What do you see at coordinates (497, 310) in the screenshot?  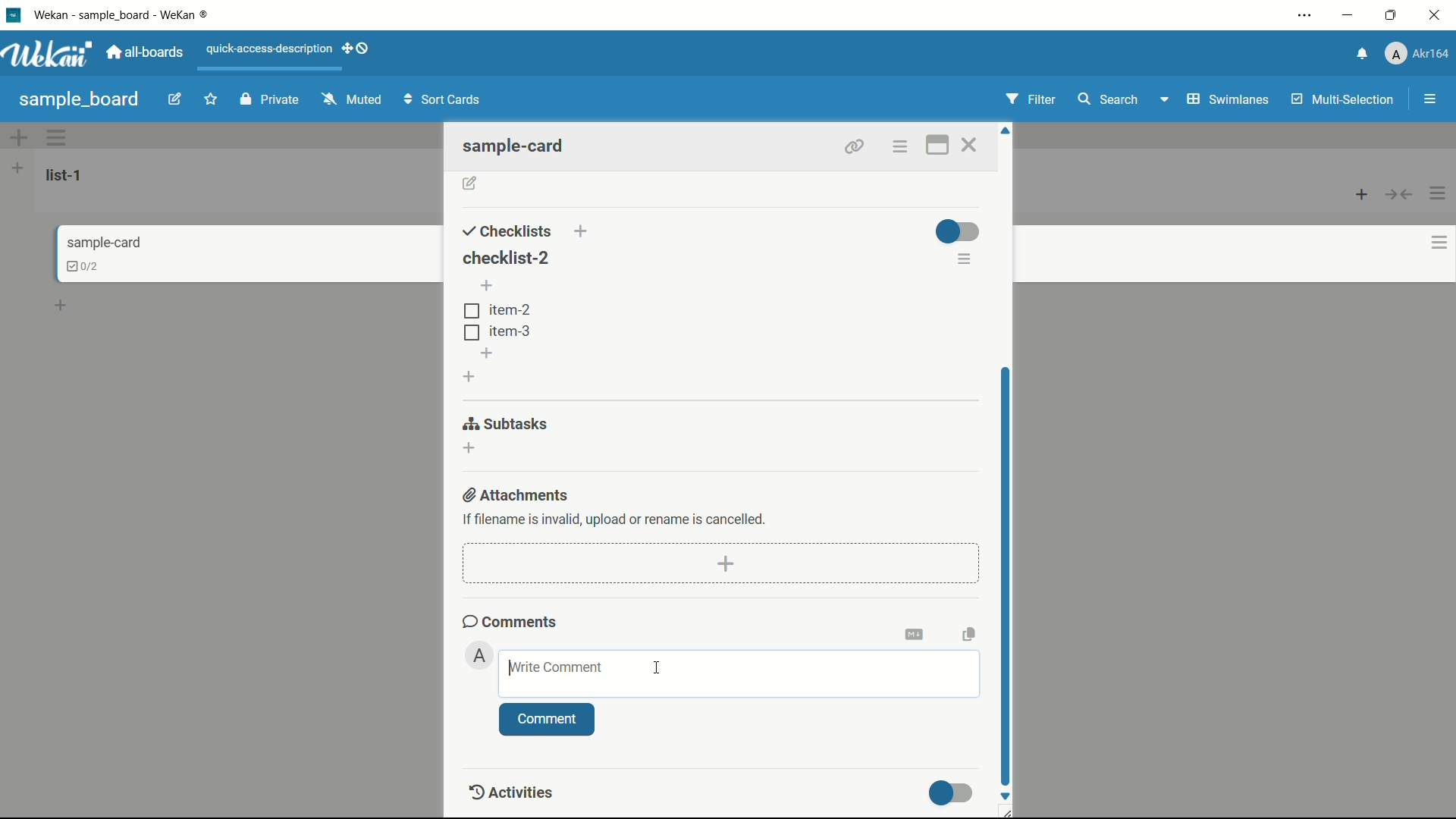 I see `item-2` at bounding box center [497, 310].